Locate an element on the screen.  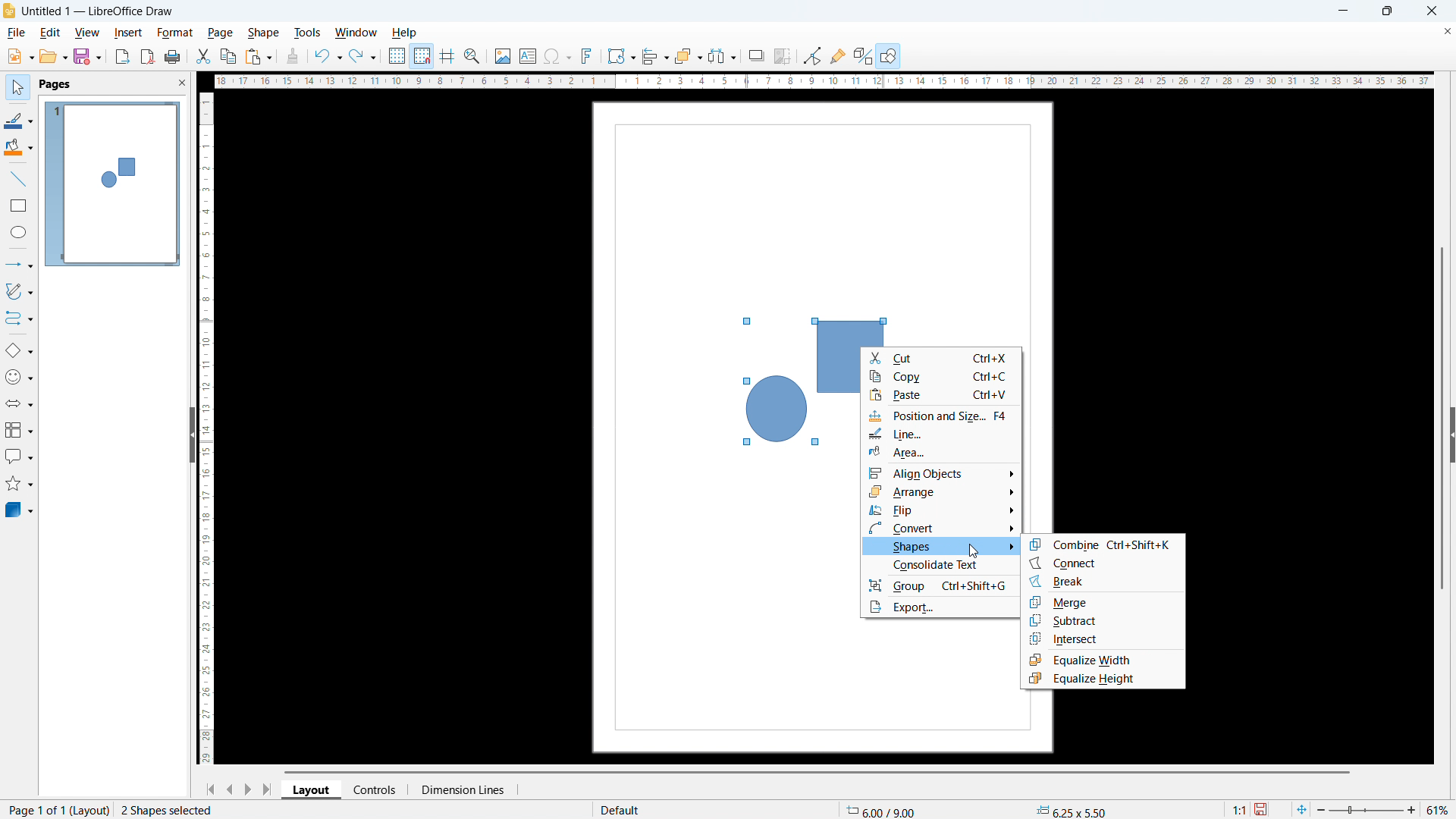
line is located at coordinates (19, 179).